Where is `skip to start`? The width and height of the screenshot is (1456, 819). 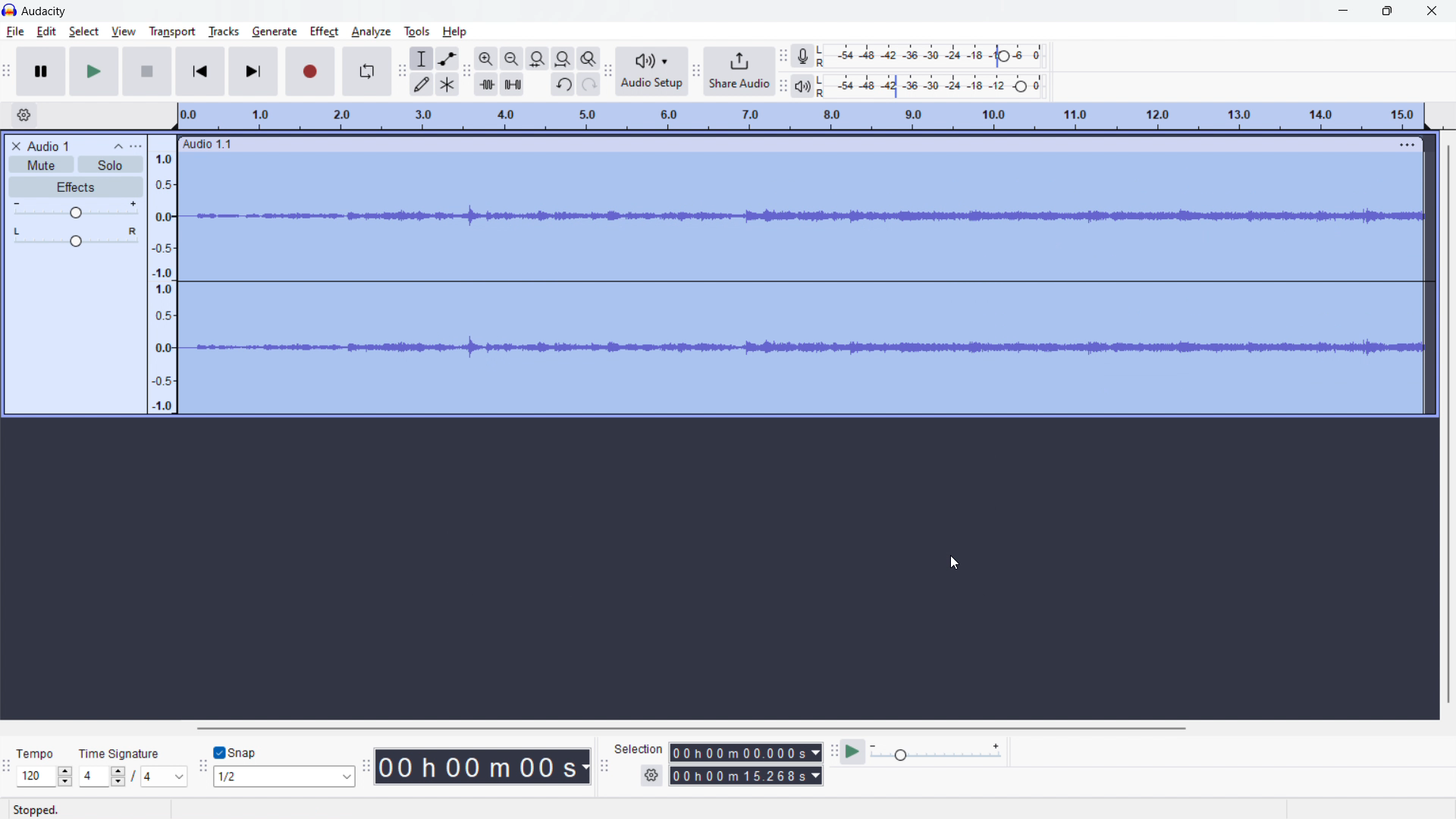
skip to start is located at coordinates (200, 71).